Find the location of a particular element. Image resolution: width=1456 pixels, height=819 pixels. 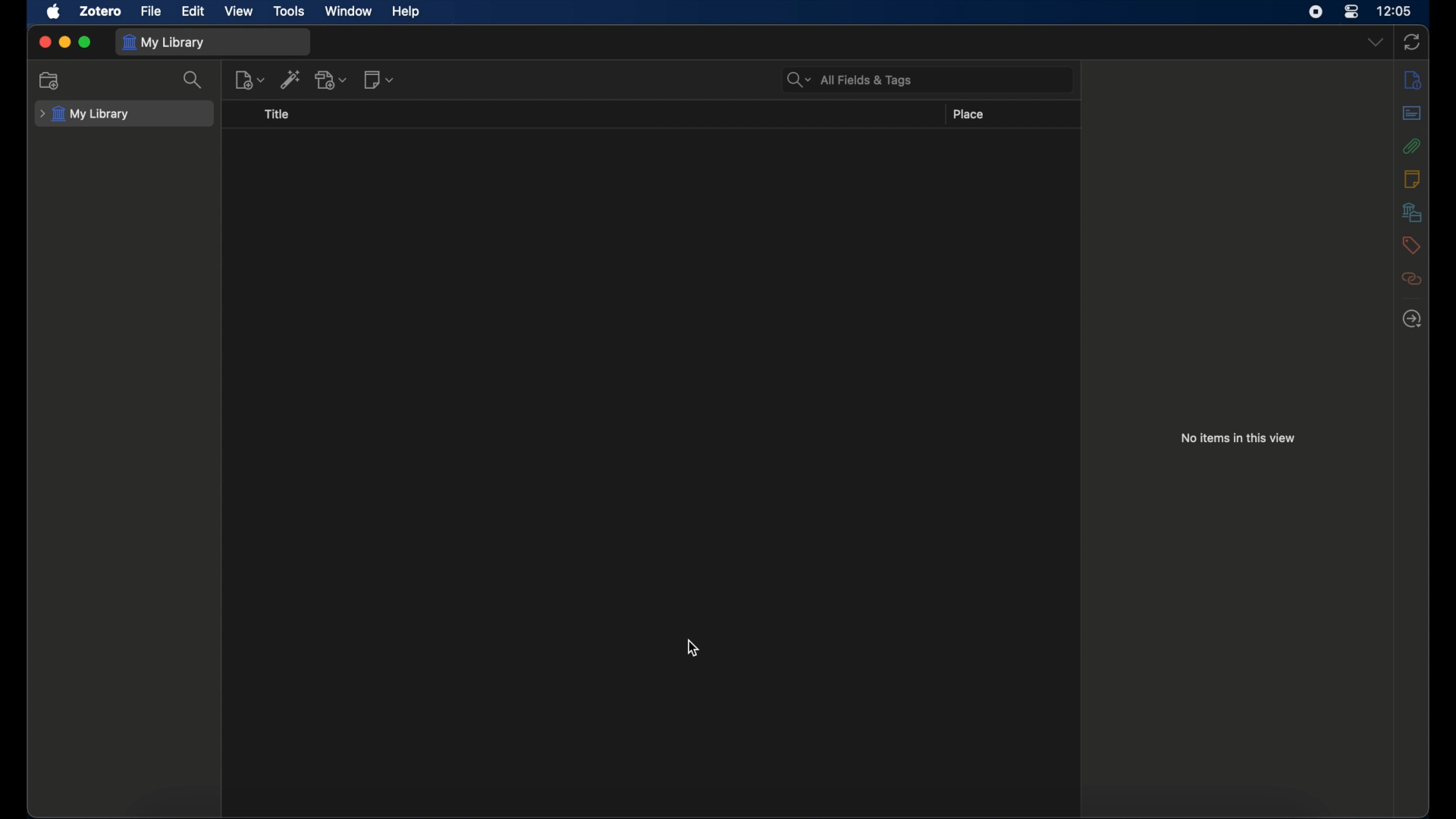

window is located at coordinates (347, 10).